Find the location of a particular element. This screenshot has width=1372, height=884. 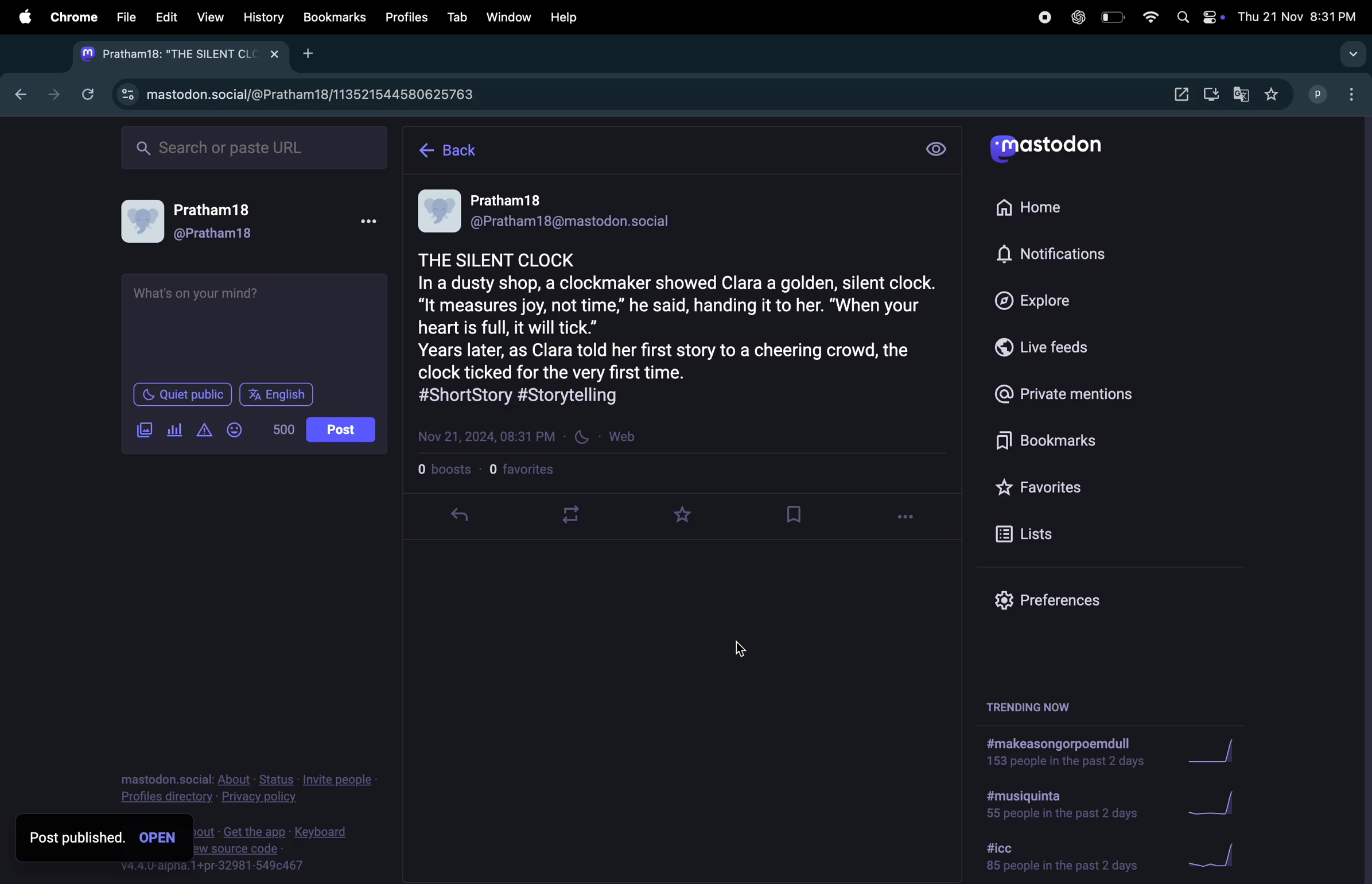

list is located at coordinates (1054, 538).